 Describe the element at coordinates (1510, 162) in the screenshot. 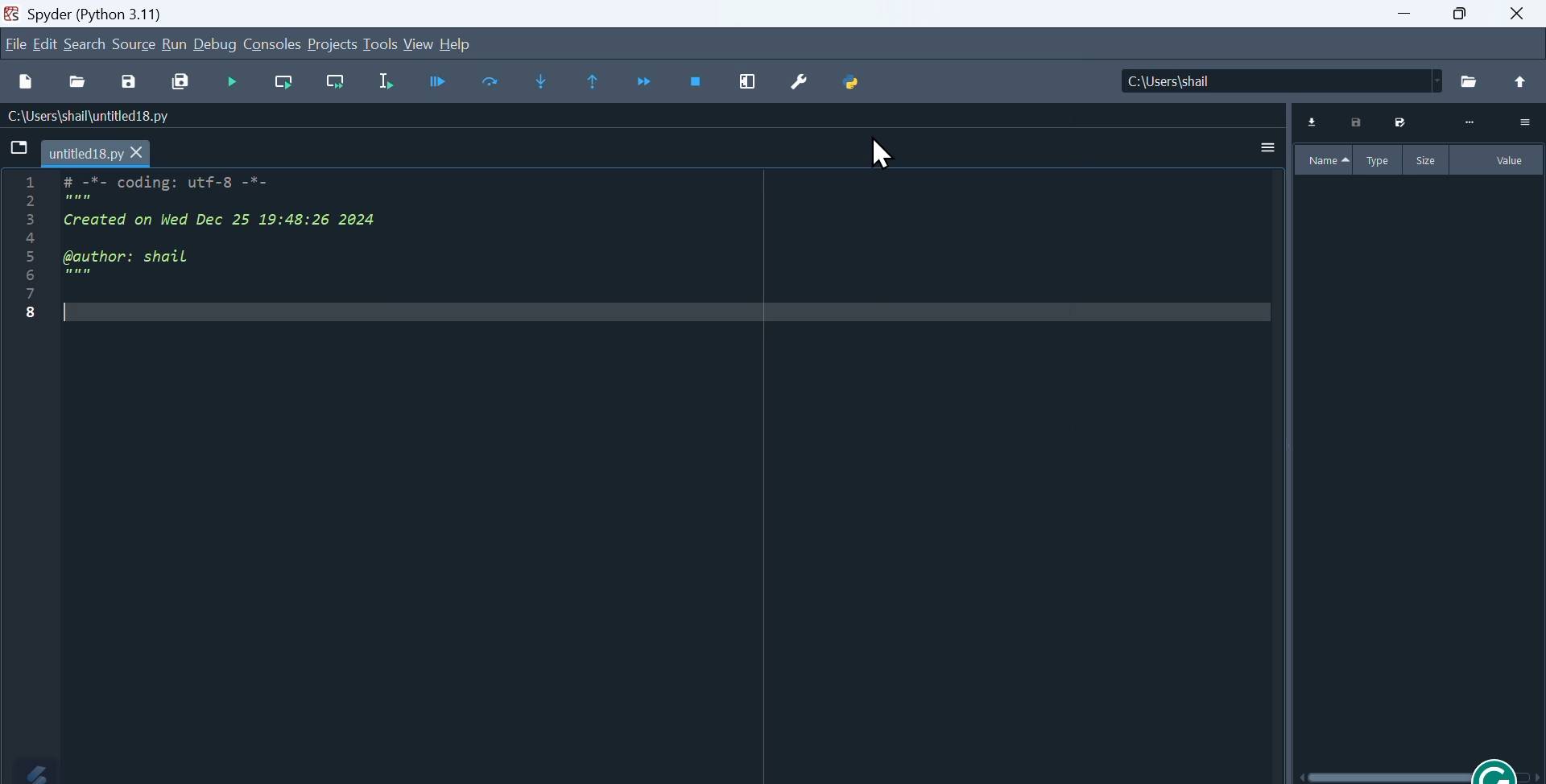

I see `value` at that location.